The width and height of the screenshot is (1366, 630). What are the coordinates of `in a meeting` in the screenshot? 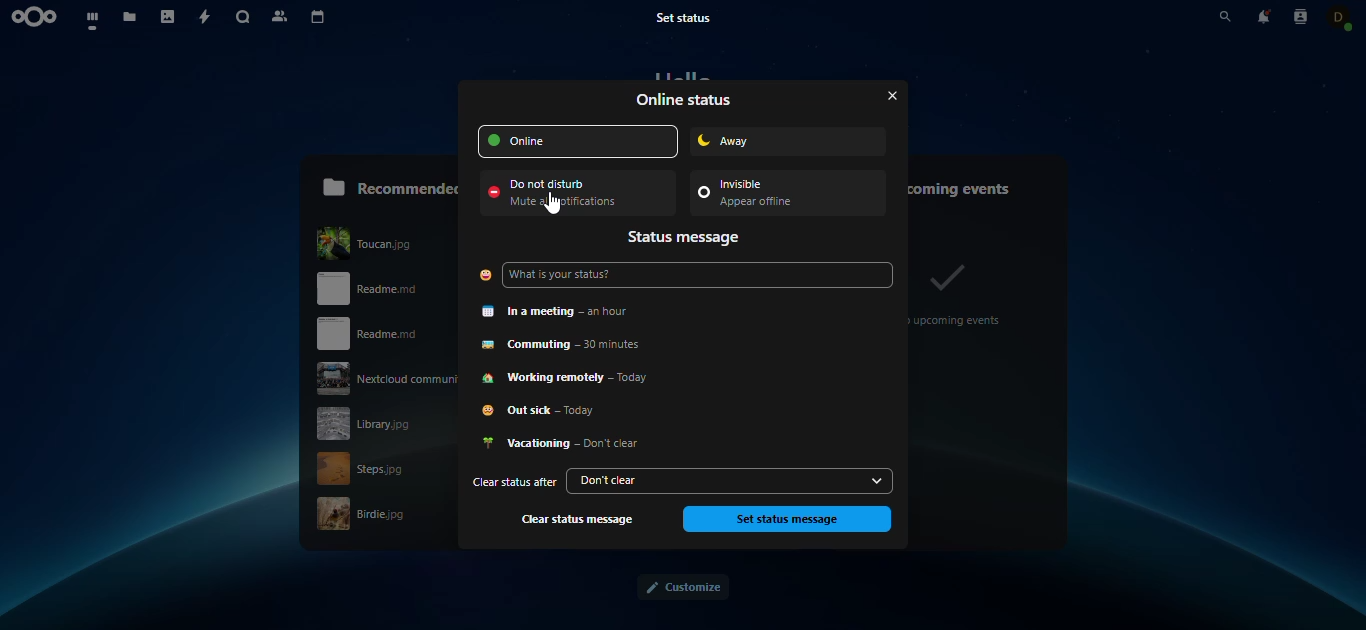 It's located at (567, 310).